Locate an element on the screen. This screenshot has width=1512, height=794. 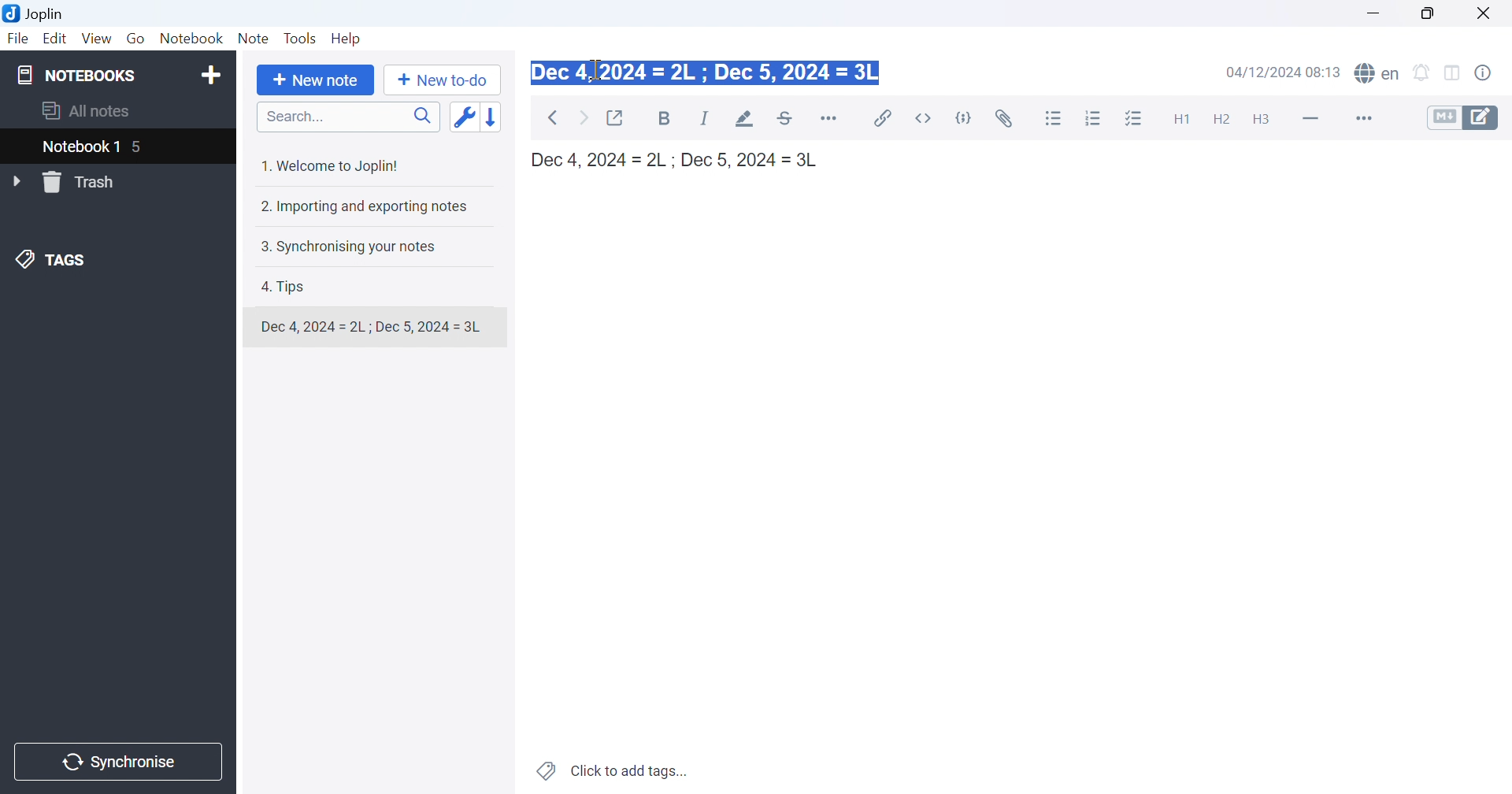
Bold is located at coordinates (668, 120).